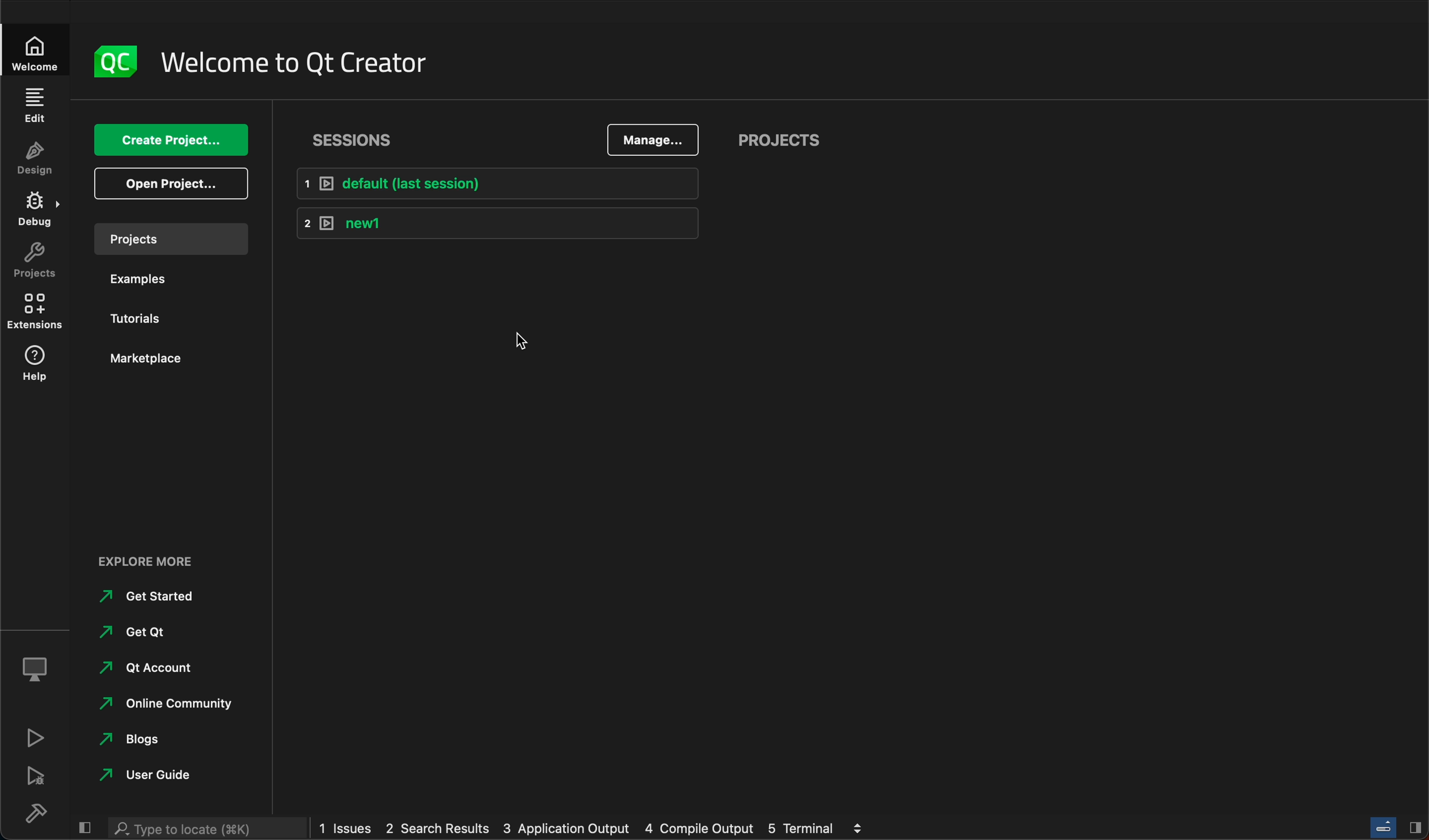 The image size is (1429, 840). I want to click on project, so click(36, 264).